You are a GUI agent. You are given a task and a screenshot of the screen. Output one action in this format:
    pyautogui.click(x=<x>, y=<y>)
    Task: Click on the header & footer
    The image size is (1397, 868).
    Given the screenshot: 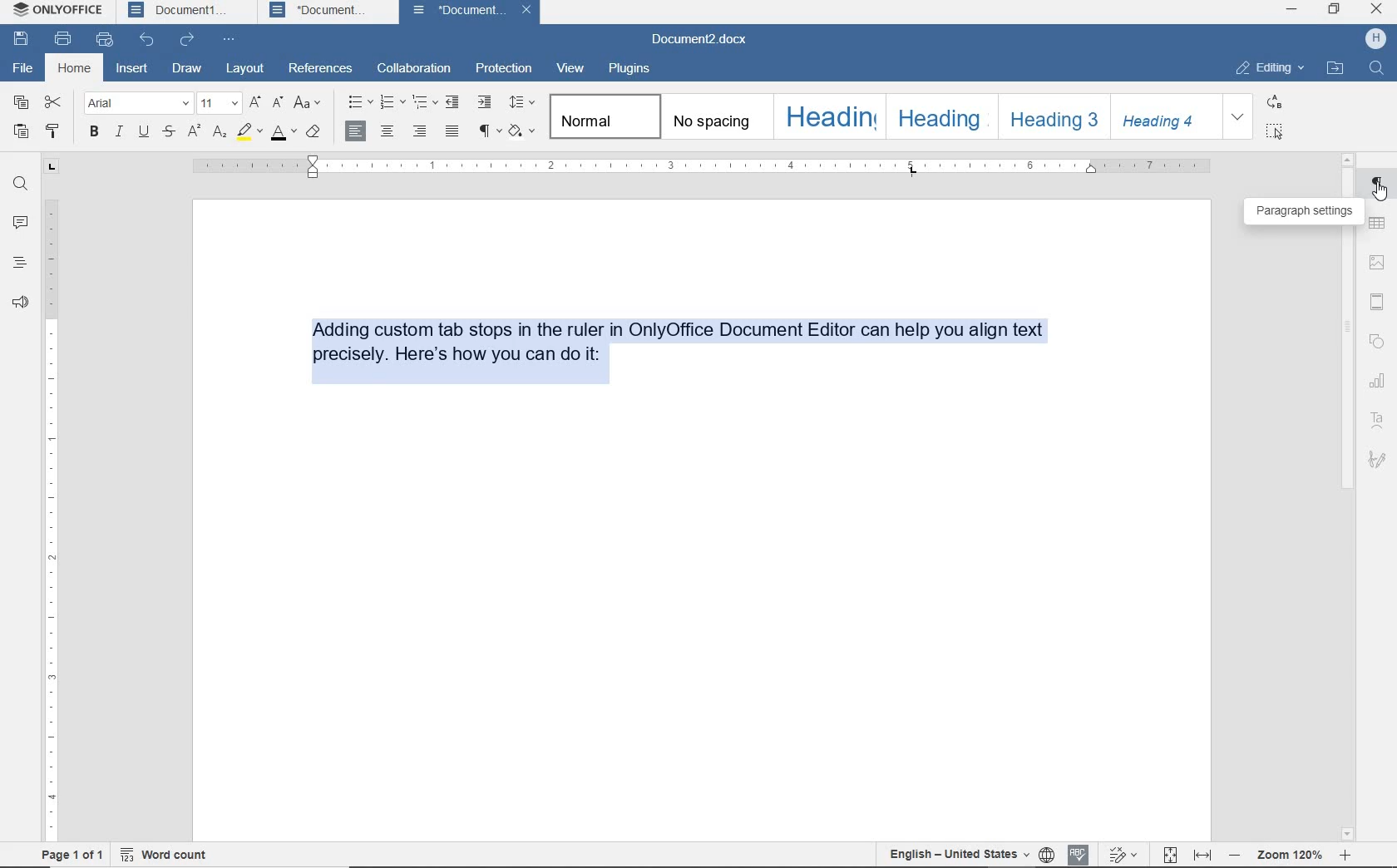 What is the action you would take?
    pyautogui.click(x=1377, y=302)
    